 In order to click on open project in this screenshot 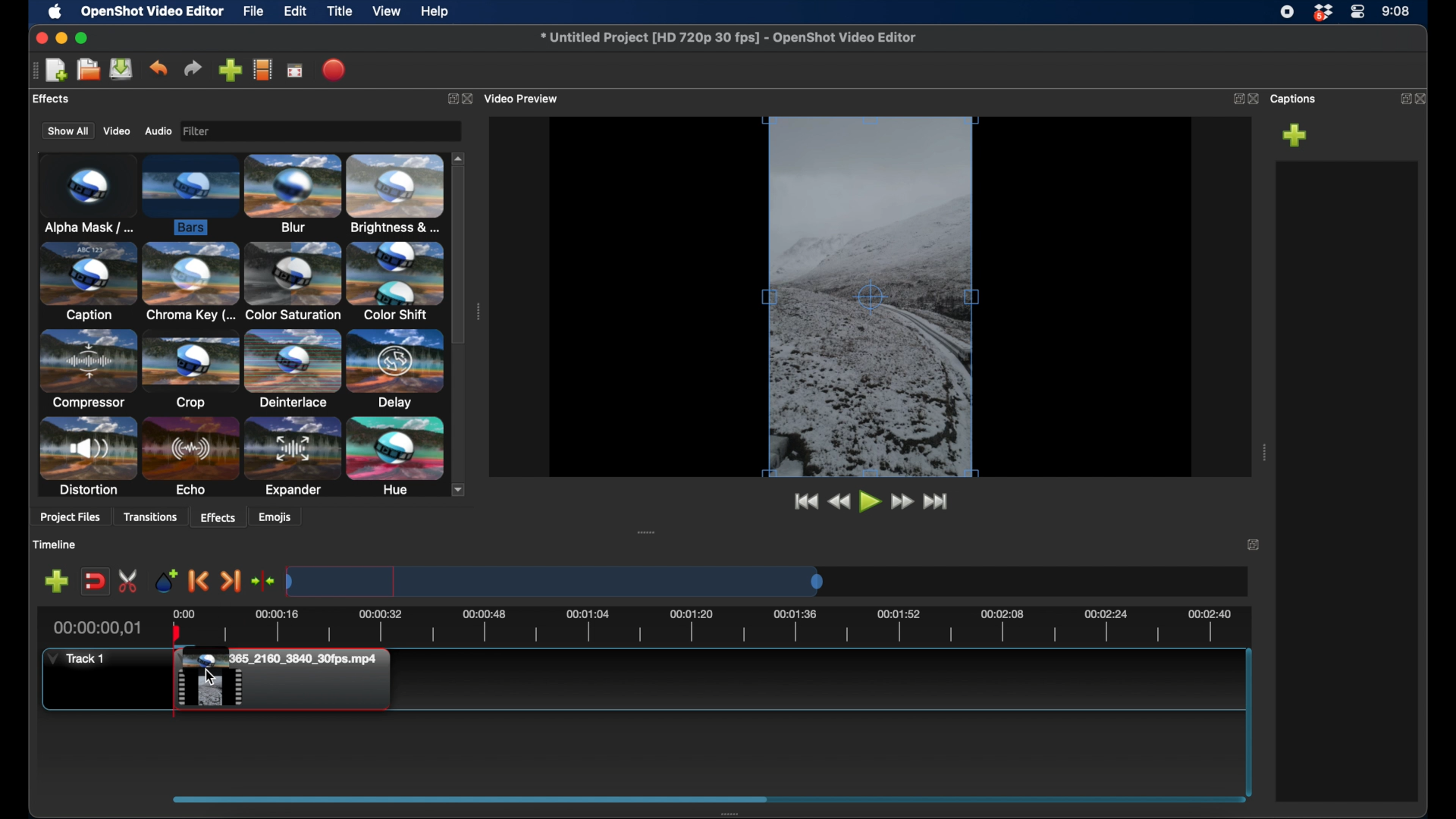, I will do `click(86, 70)`.